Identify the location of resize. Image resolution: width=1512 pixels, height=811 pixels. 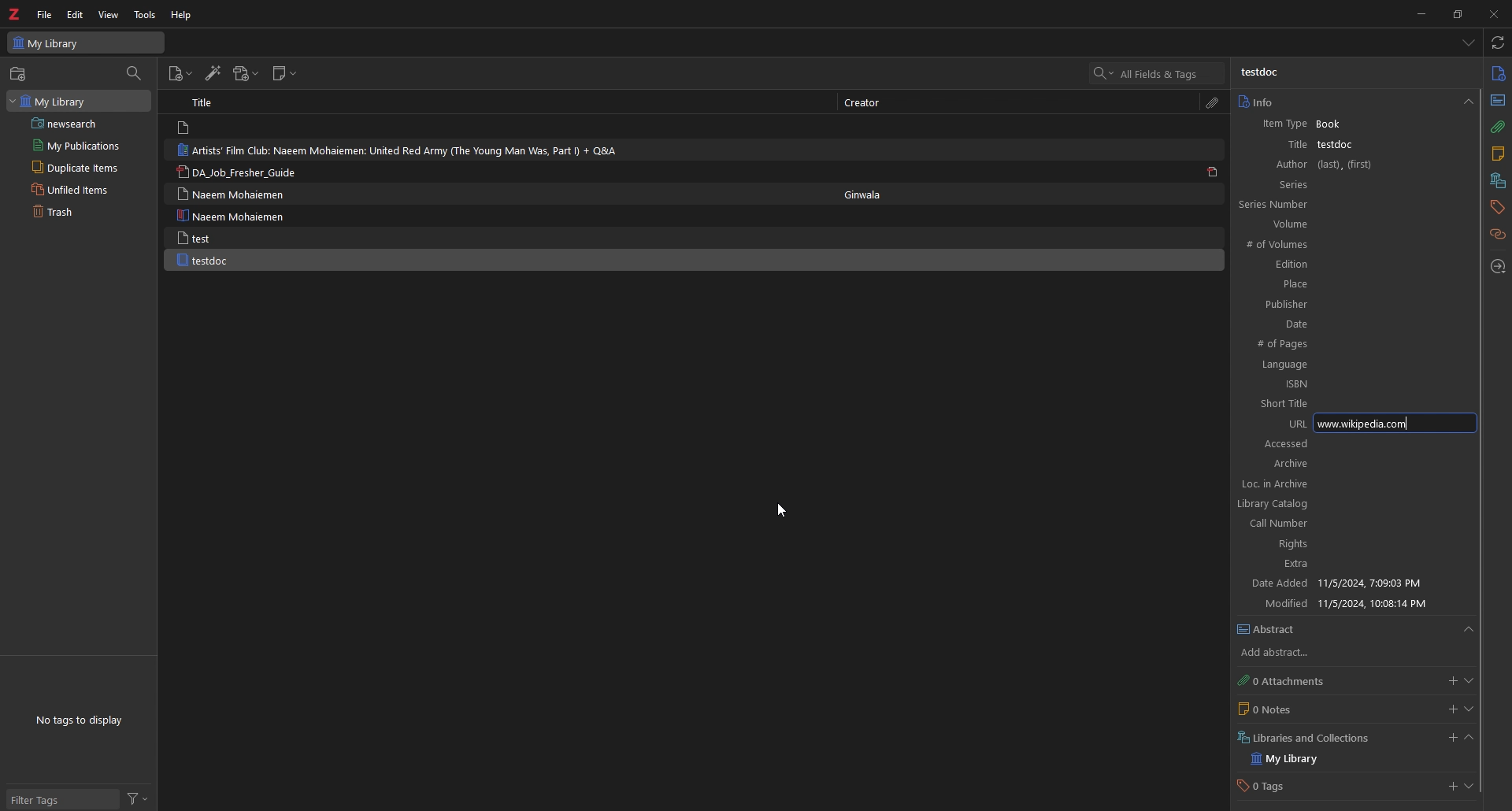
(1457, 14).